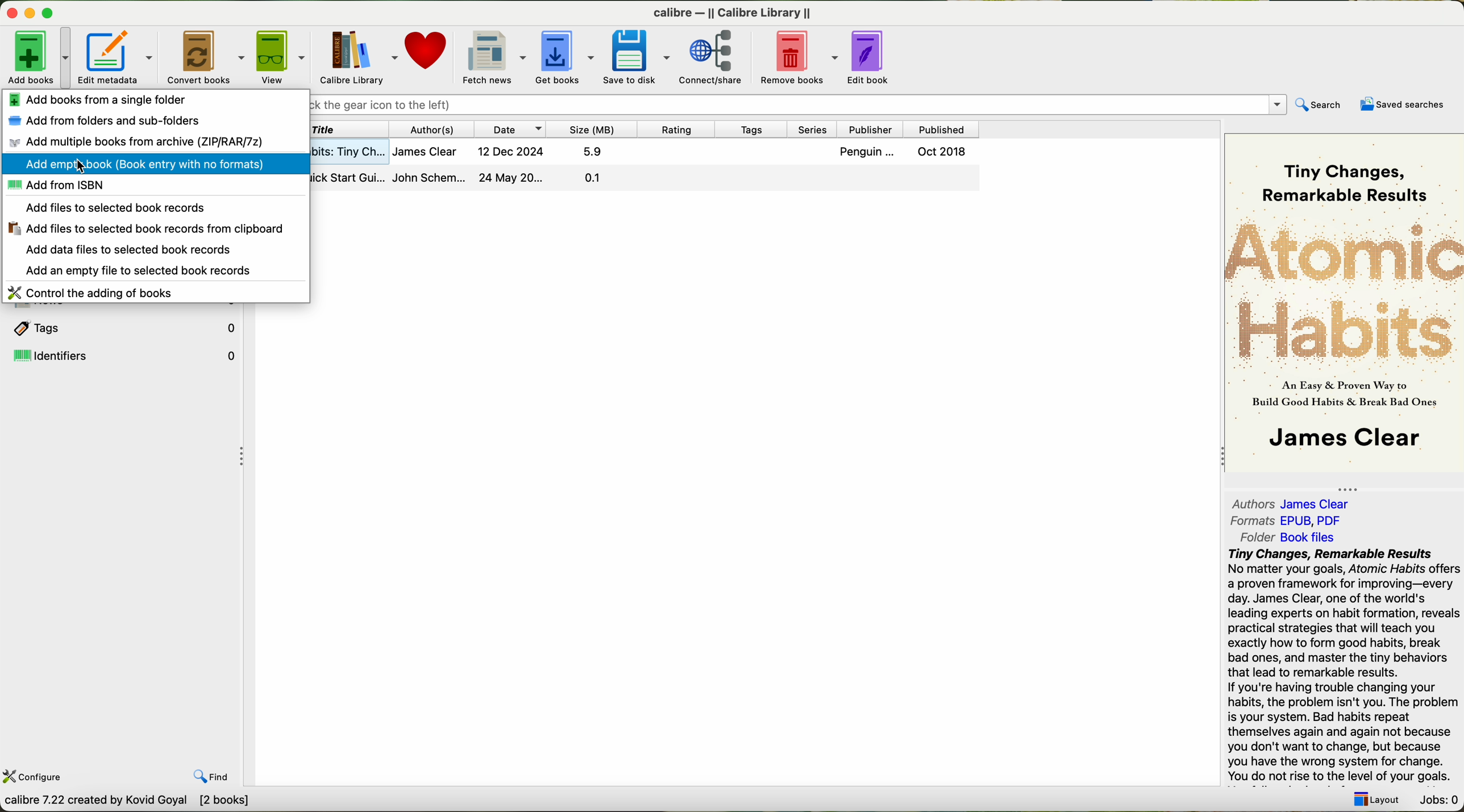  I want to click on search bar, so click(801, 107).